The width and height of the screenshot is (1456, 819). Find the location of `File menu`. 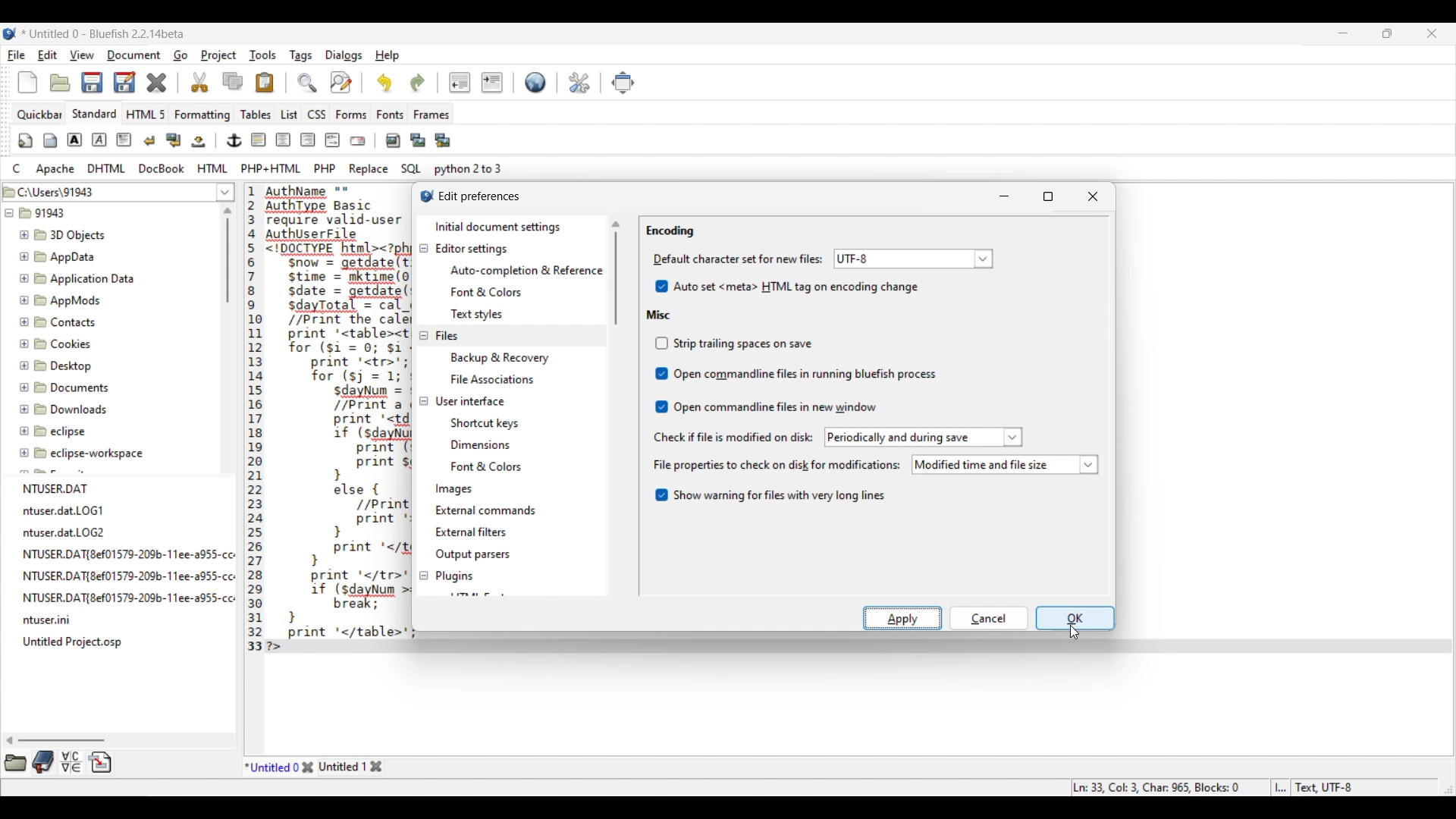

File menu is located at coordinates (17, 55).